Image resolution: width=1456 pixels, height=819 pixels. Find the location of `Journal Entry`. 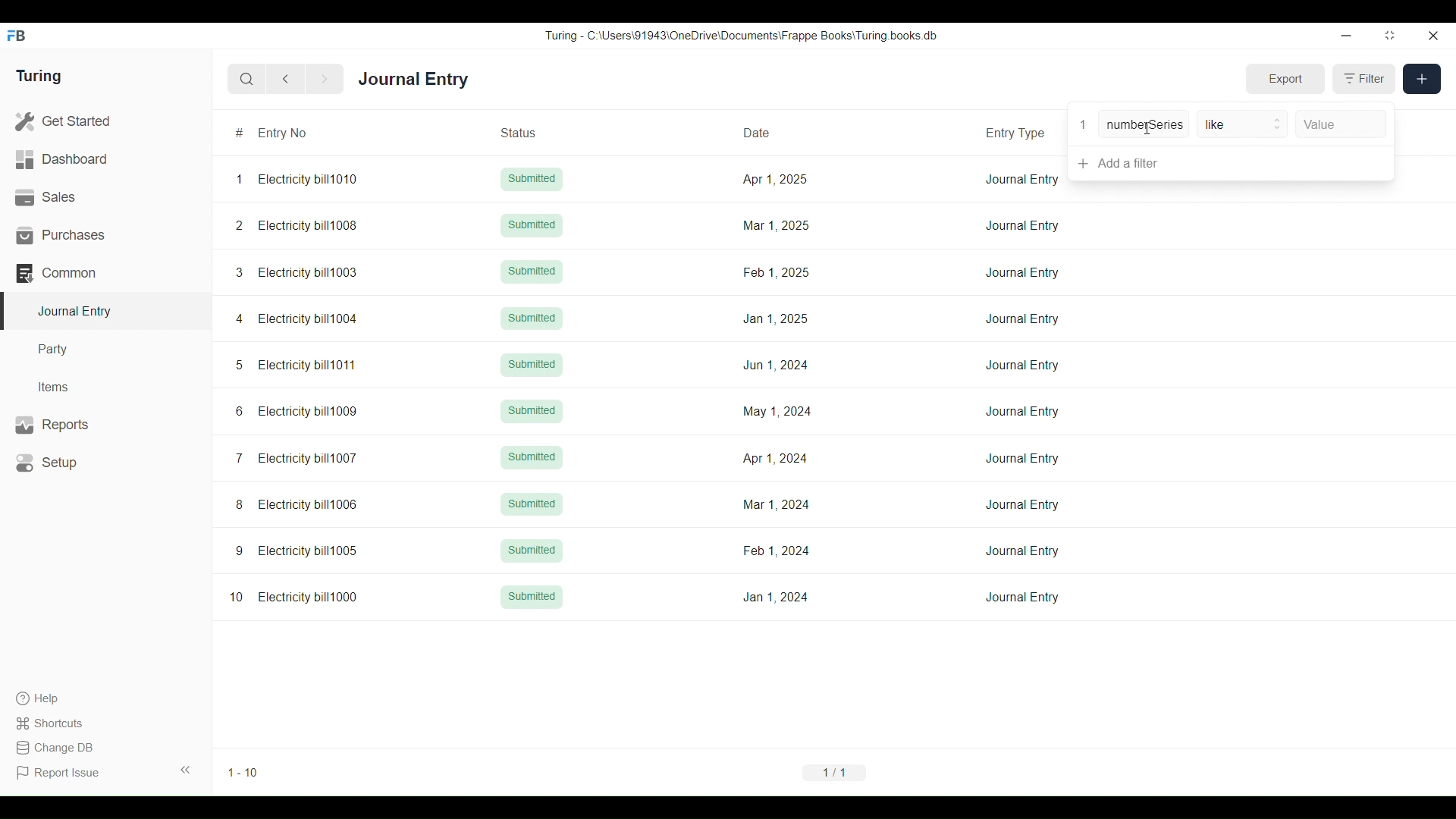

Journal Entry is located at coordinates (1022, 504).